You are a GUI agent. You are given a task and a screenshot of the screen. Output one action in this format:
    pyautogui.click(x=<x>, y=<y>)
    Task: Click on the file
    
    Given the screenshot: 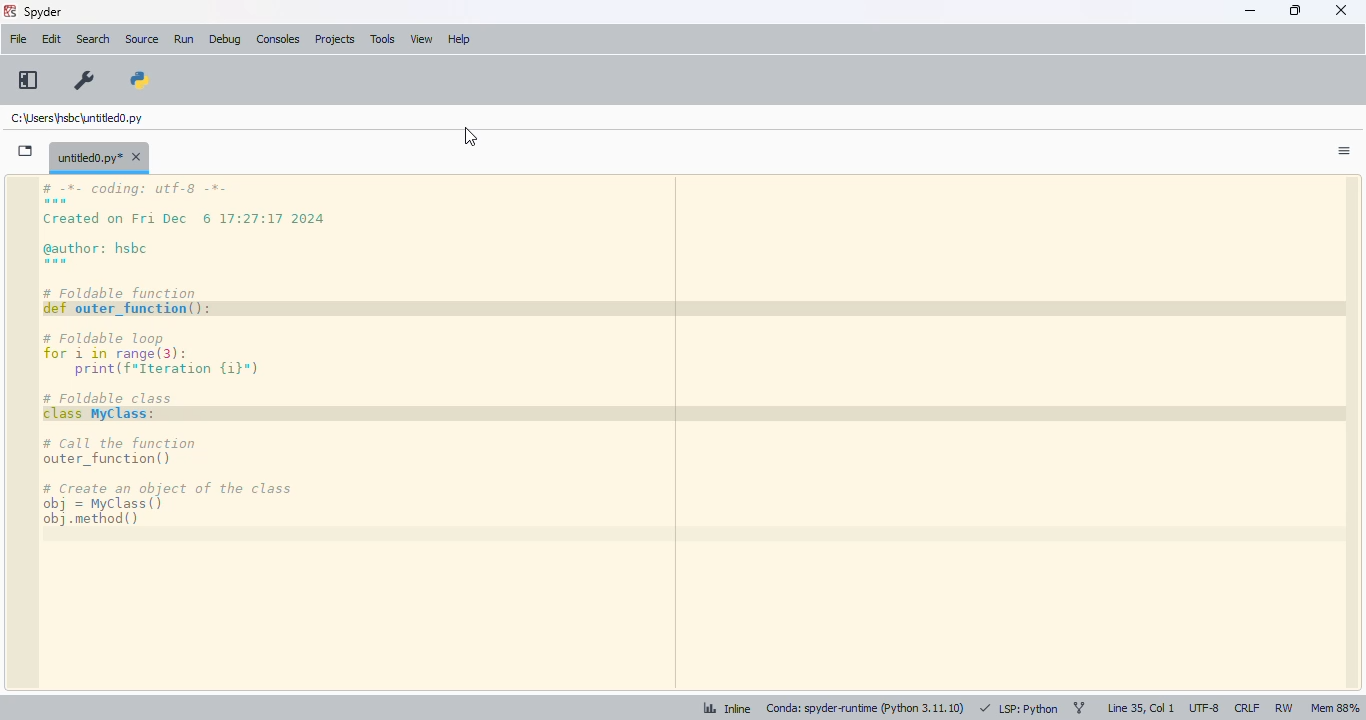 What is the action you would take?
    pyautogui.click(x=18, y=38)
    